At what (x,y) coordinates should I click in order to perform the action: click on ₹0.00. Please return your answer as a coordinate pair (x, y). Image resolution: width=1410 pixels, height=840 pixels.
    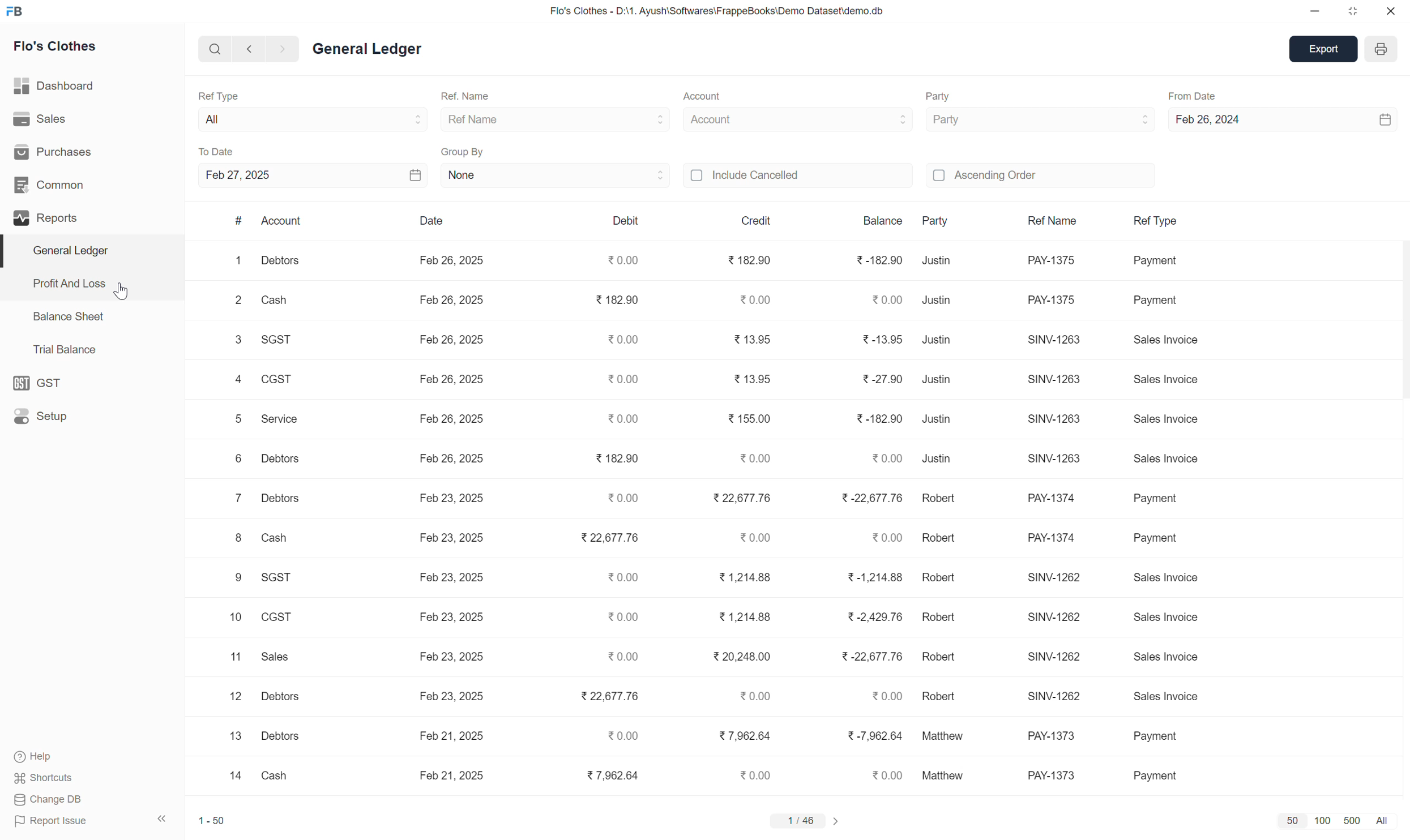
    Looking at the image, I should click on (616, 380).